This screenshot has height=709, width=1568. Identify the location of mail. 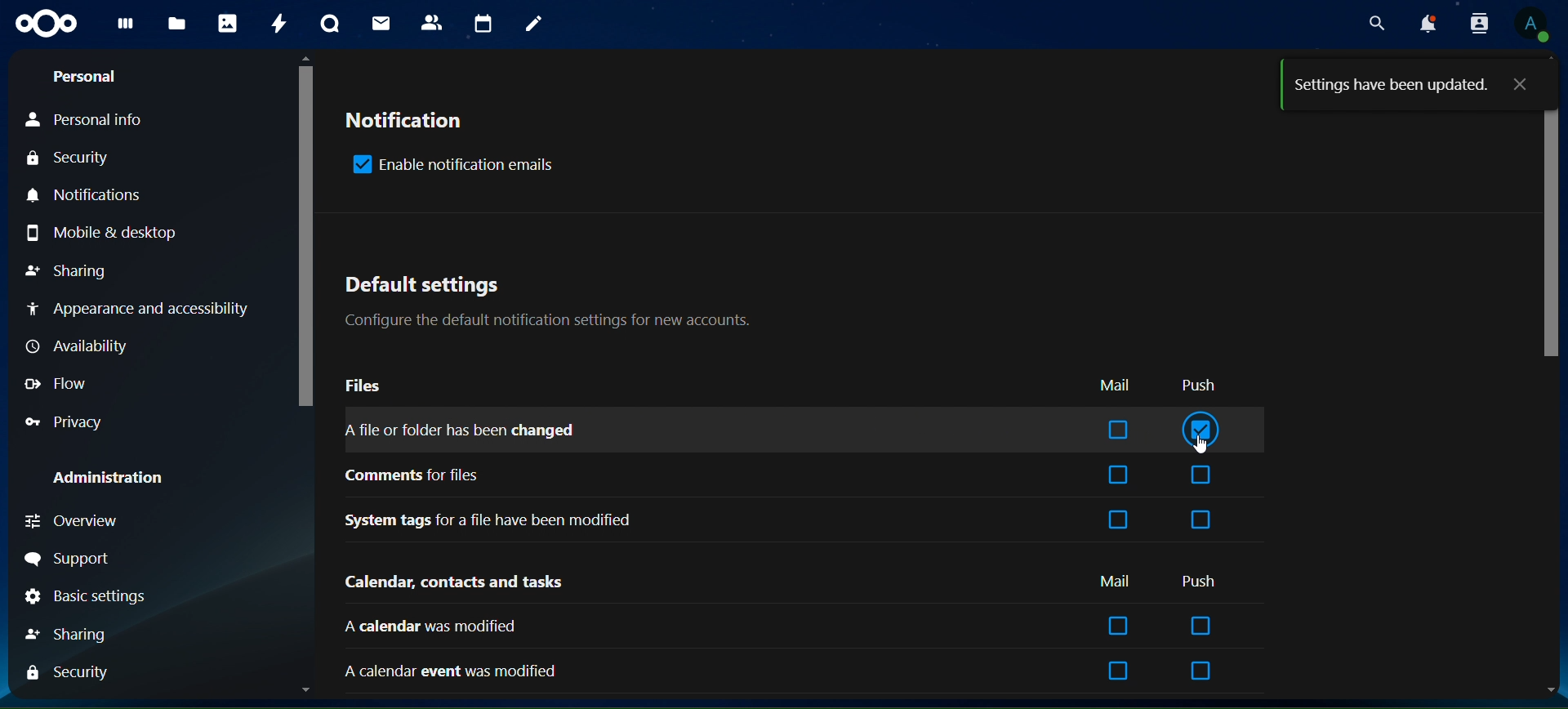
(1114, 386).